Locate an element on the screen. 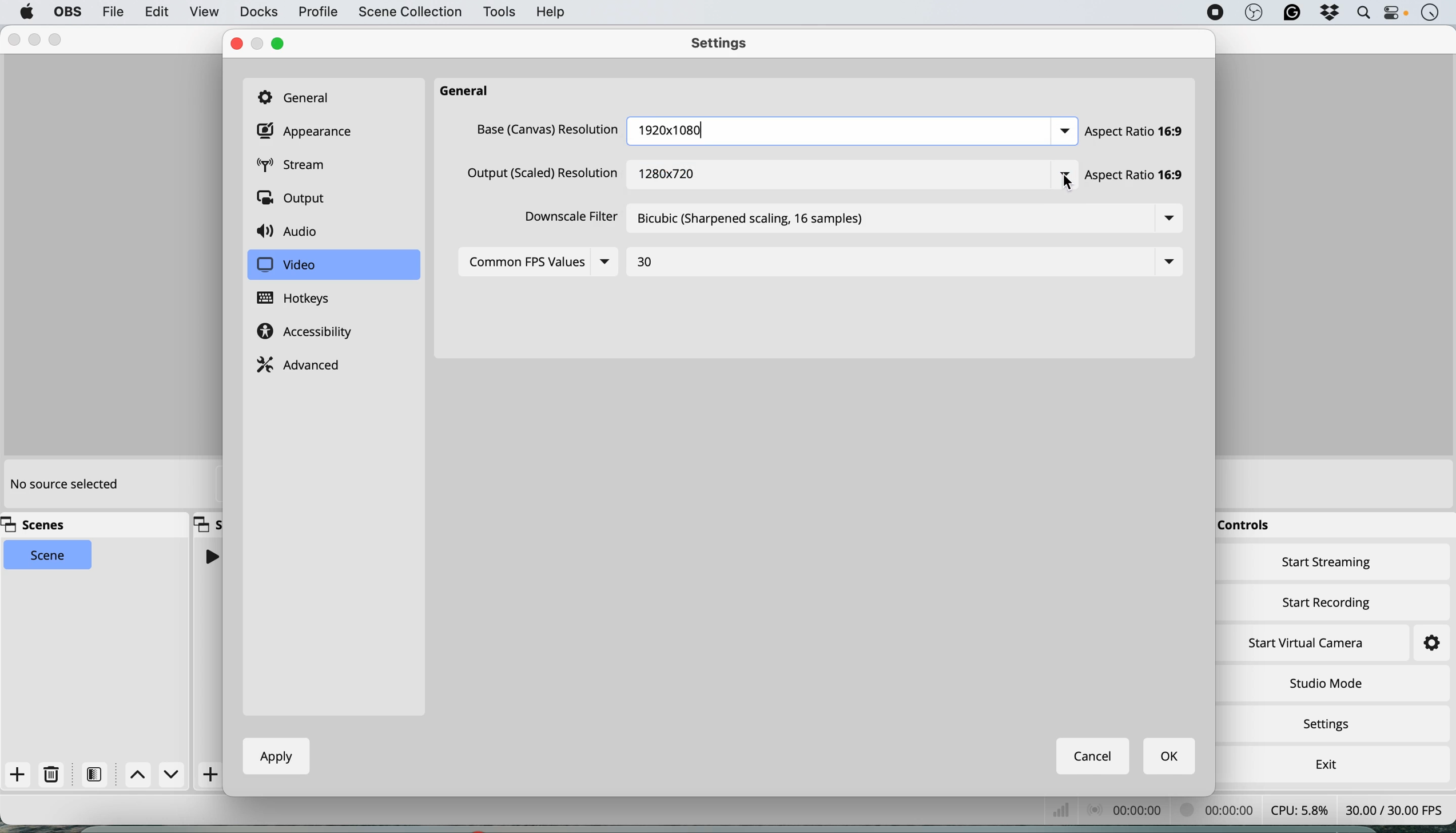 Image resolution: width=1456 pixels, height=833 pixels. output is located at coordinates (295, 200).